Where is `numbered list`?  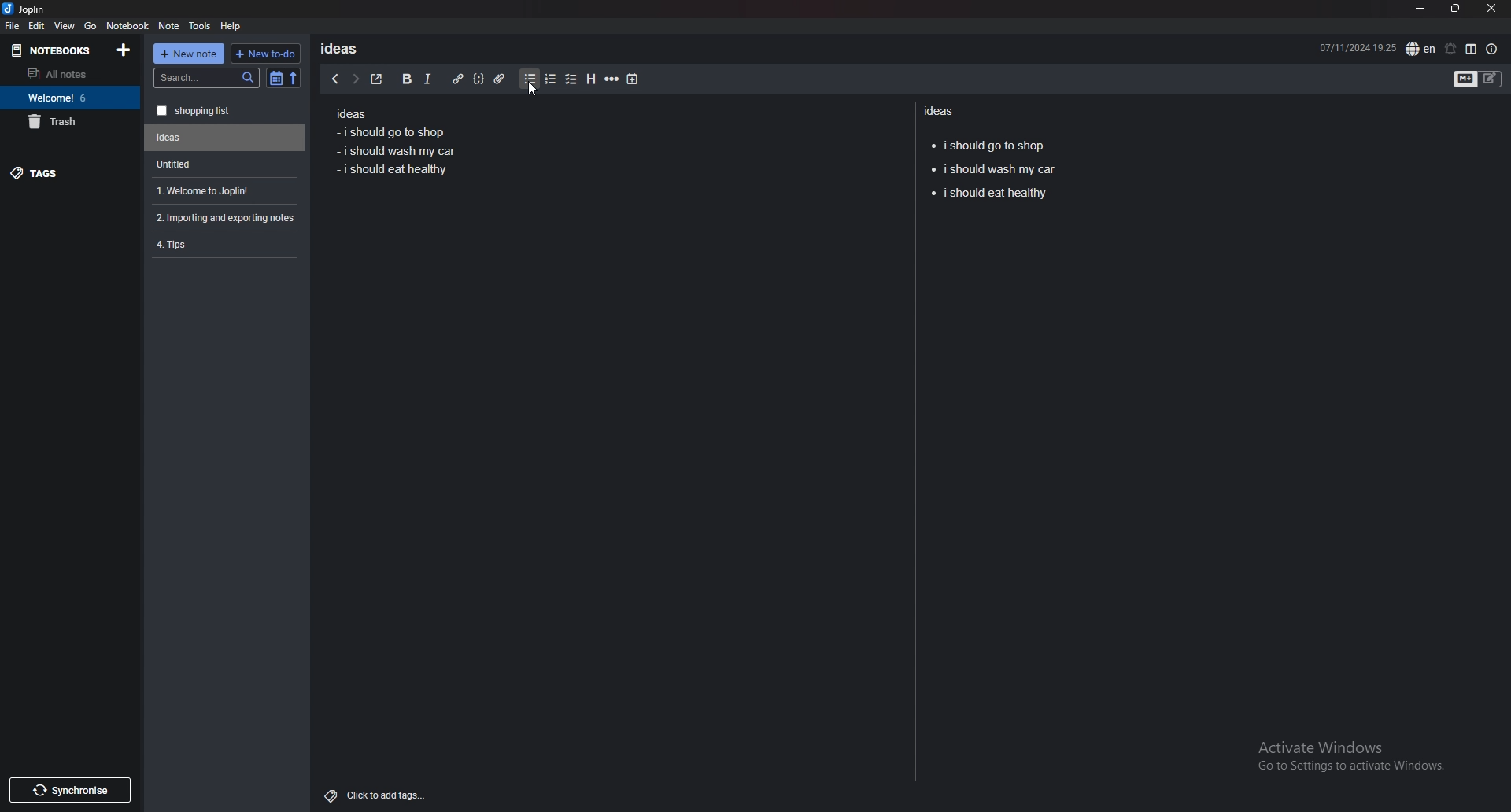 numbered list is located at coordinates (549, 79).